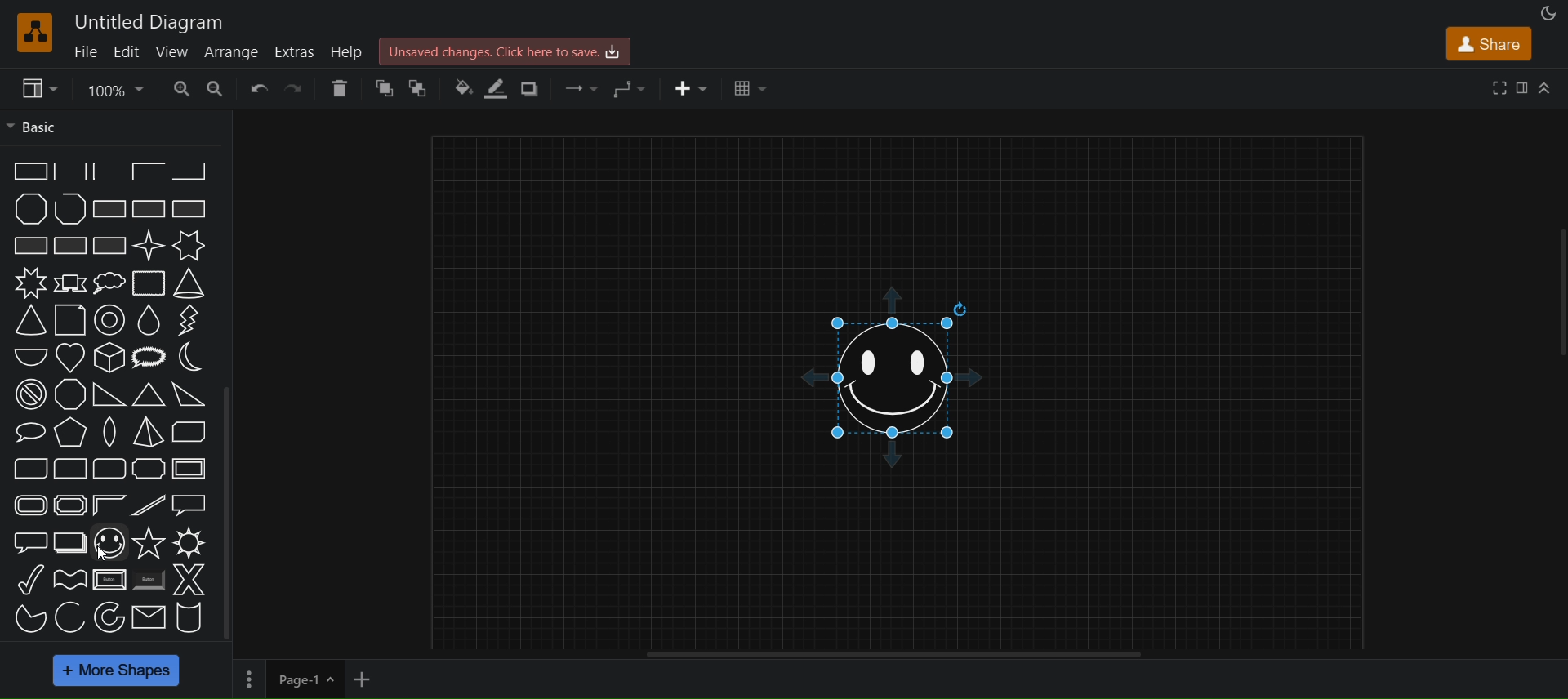 The width and height of the screenshot is (1568, 699). Describe the element at coordinates (464, 89) in the screenshot. I see `fill color` at that location.